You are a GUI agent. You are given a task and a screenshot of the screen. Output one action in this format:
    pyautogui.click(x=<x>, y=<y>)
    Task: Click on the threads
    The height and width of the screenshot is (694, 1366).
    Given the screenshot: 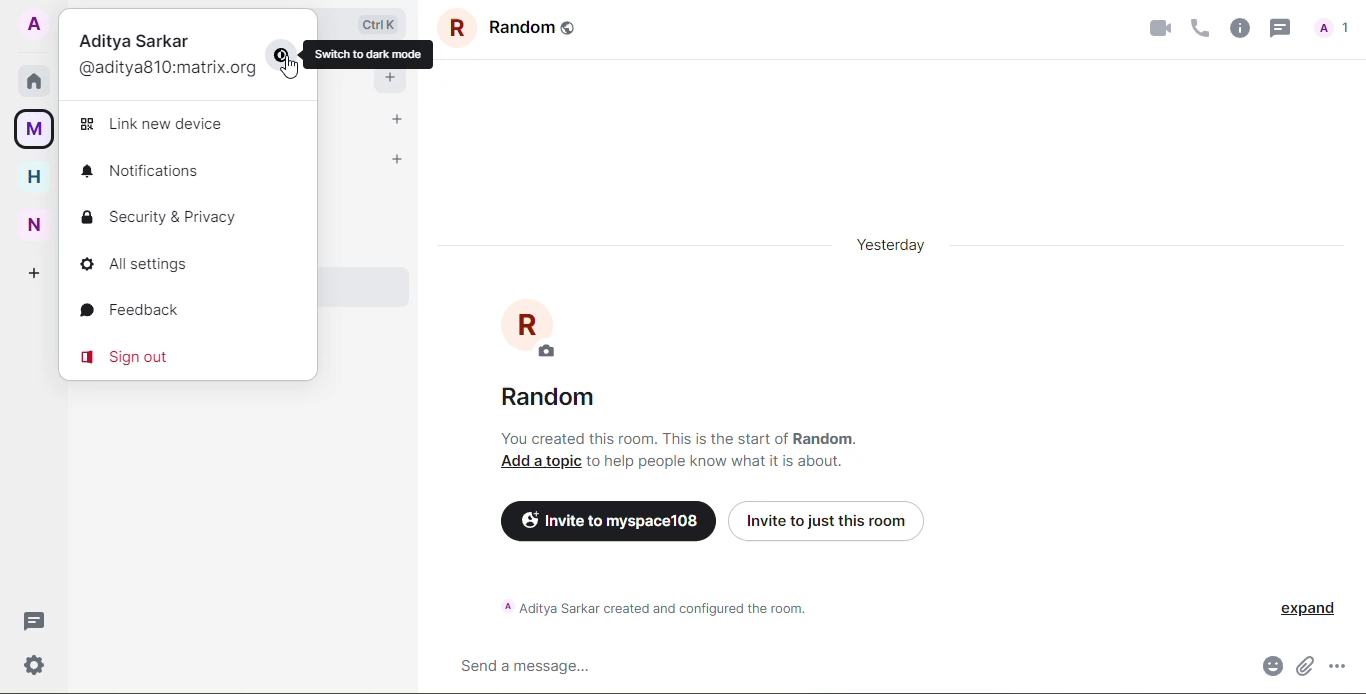 What is the action you would take?
    pyautogui.click(x=35, y=620)
    